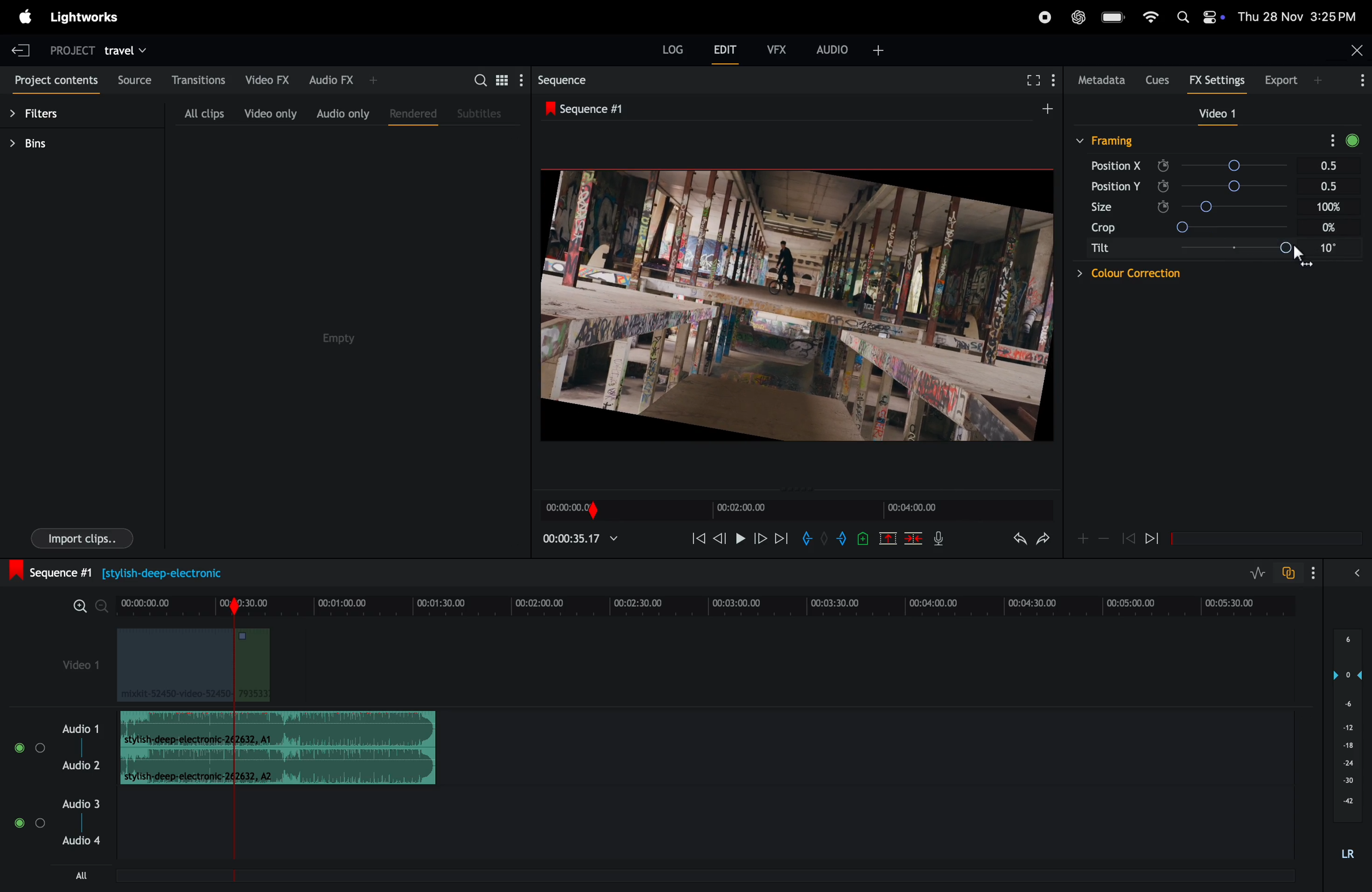 This screenshot has width=1372, height=892. What do you see at coordinates (20, 825) in the screenshot?
I see `Mute/Unmute Track` at bounding box center [20, 825].